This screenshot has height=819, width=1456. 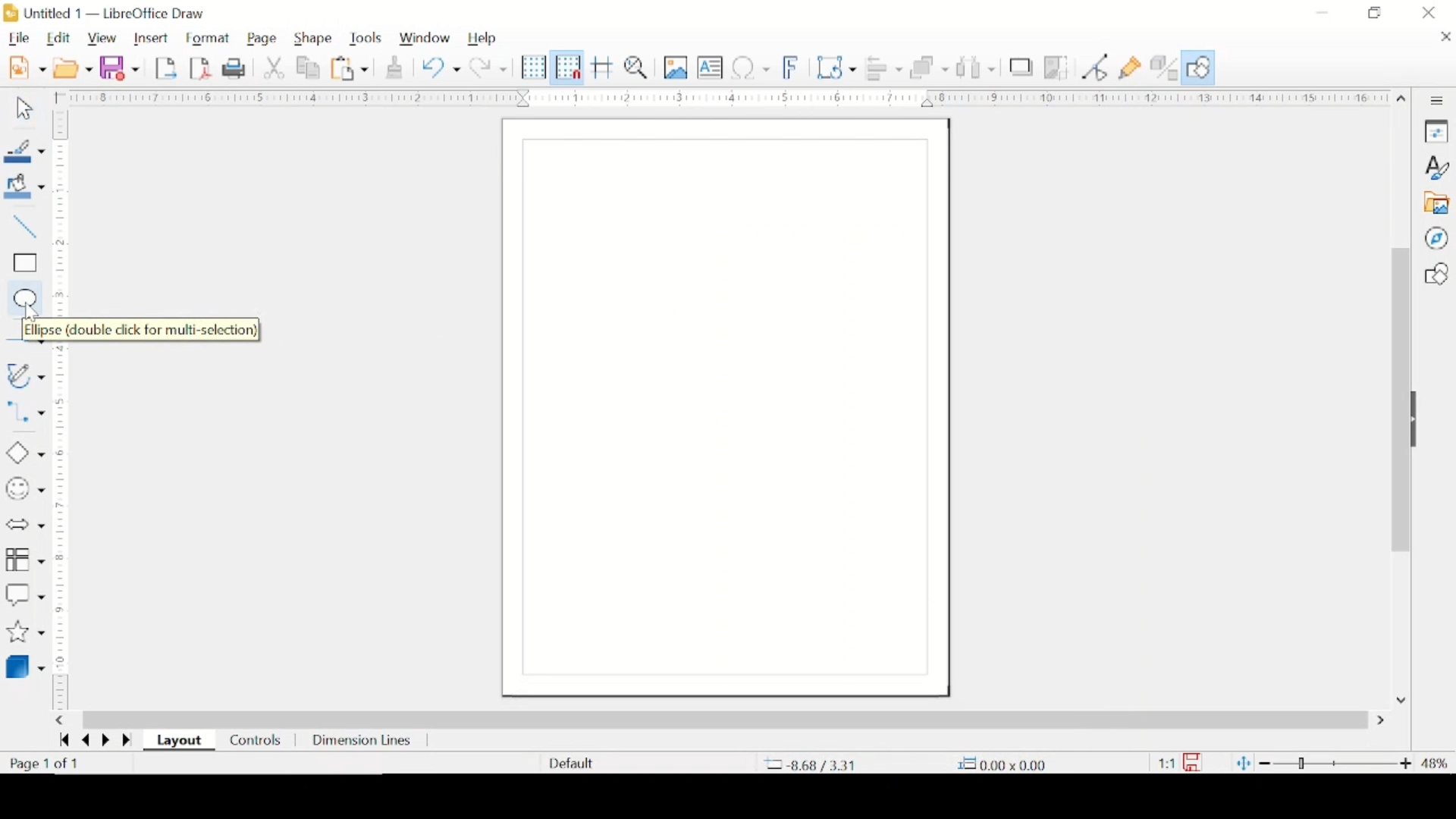 I want to click on connectors, so click(x=25, y=416).